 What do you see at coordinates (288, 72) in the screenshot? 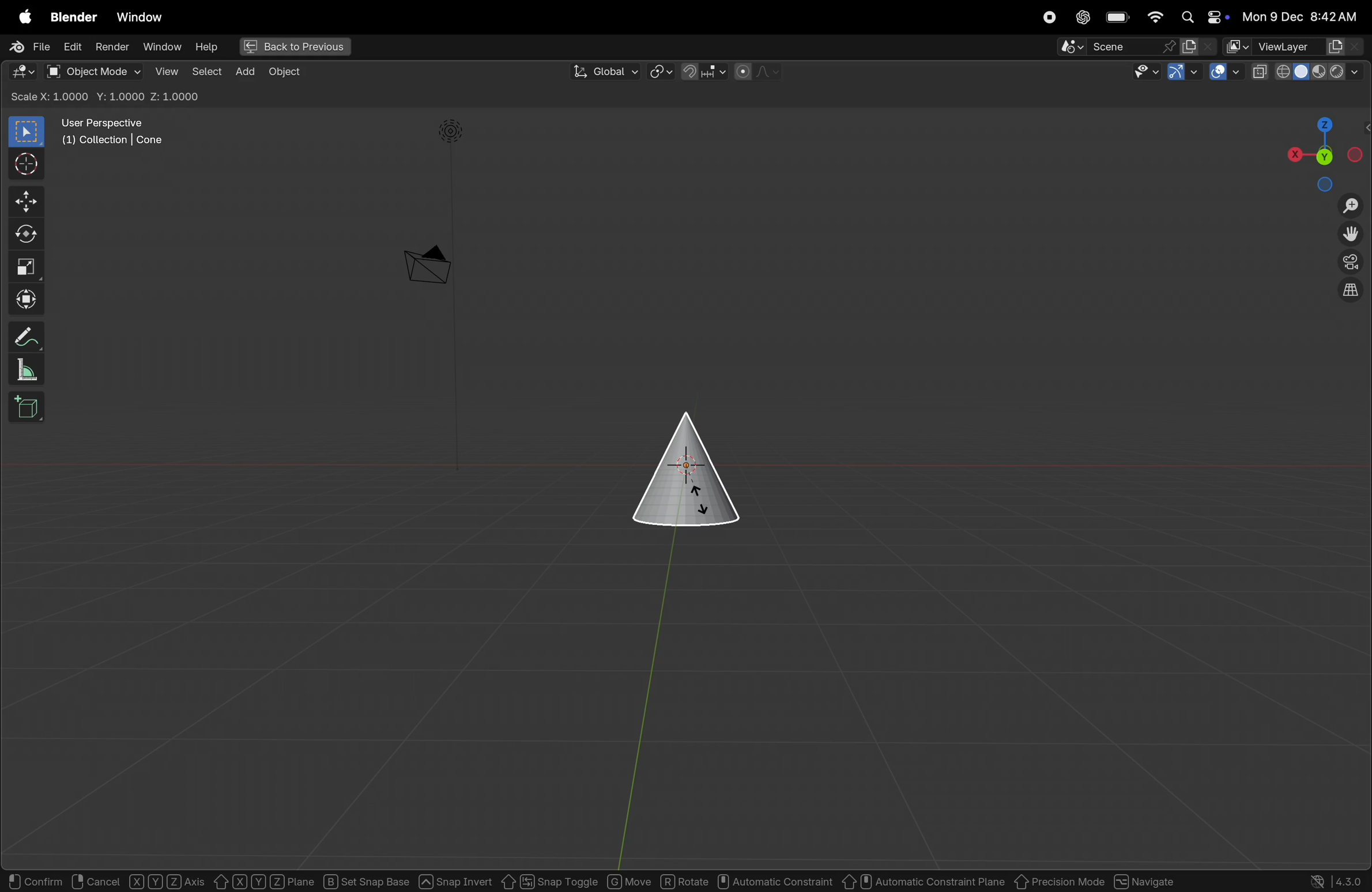
I see `Object` at bounding box center [288, 72].